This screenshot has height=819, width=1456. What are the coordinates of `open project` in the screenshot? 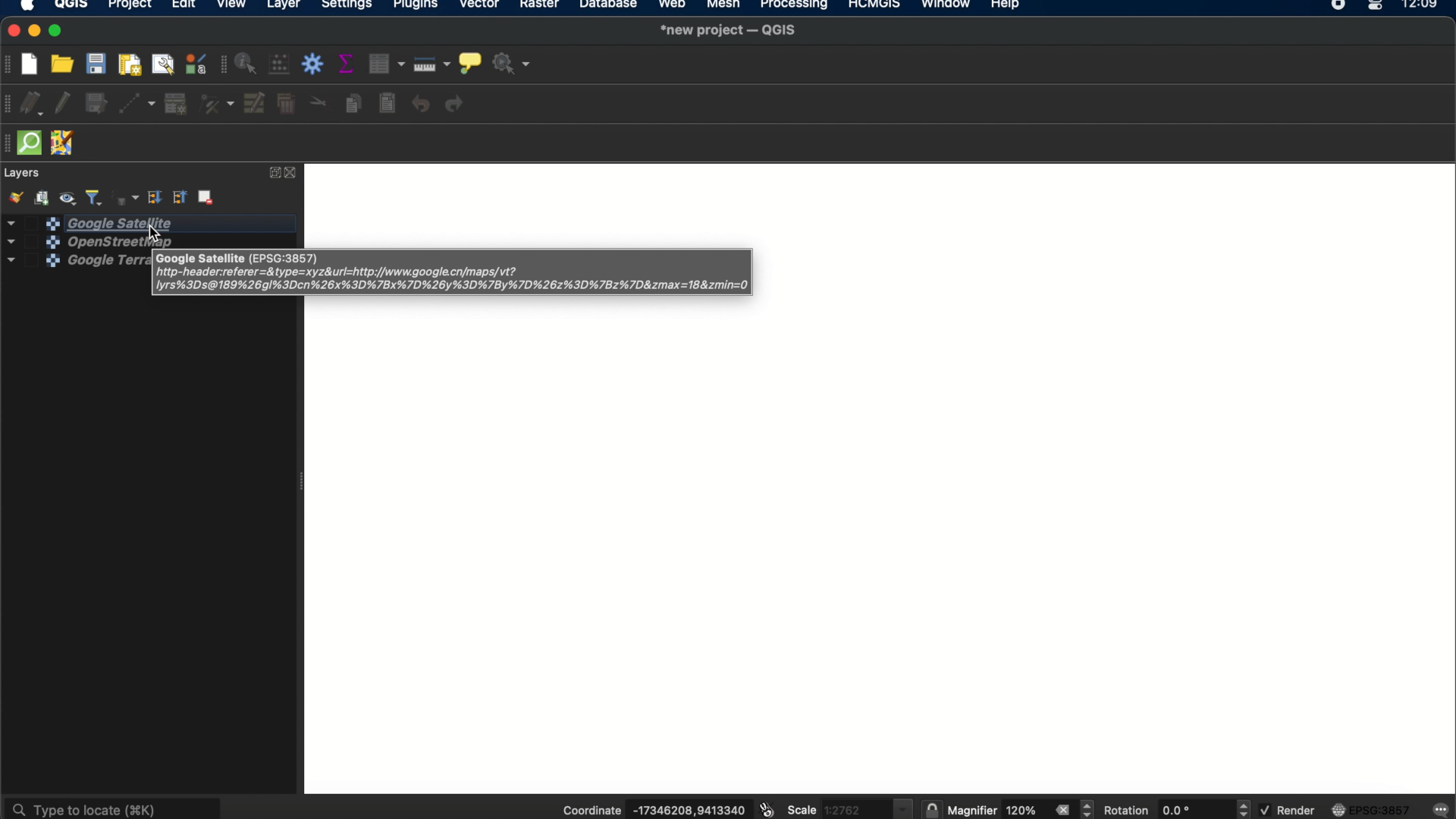 It's located at (64, 64).